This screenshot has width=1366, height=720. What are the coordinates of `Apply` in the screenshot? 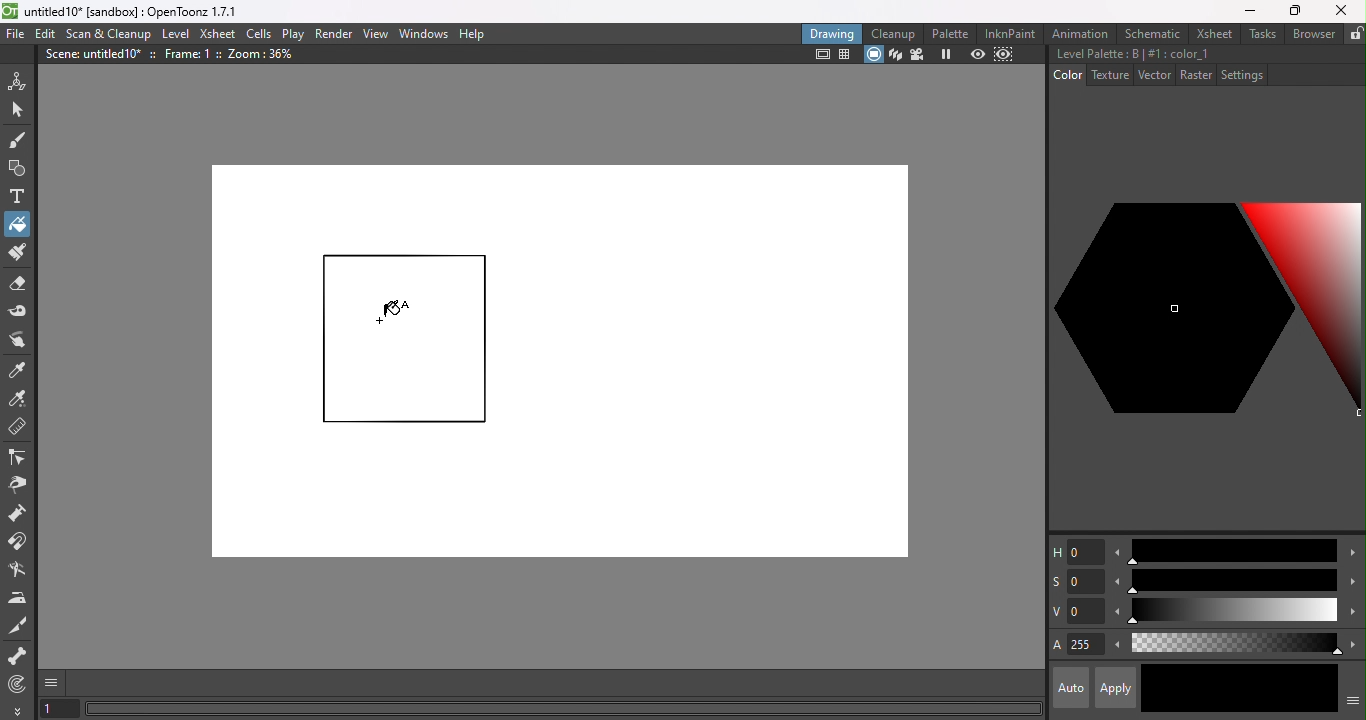 It's located at (1114, 688).